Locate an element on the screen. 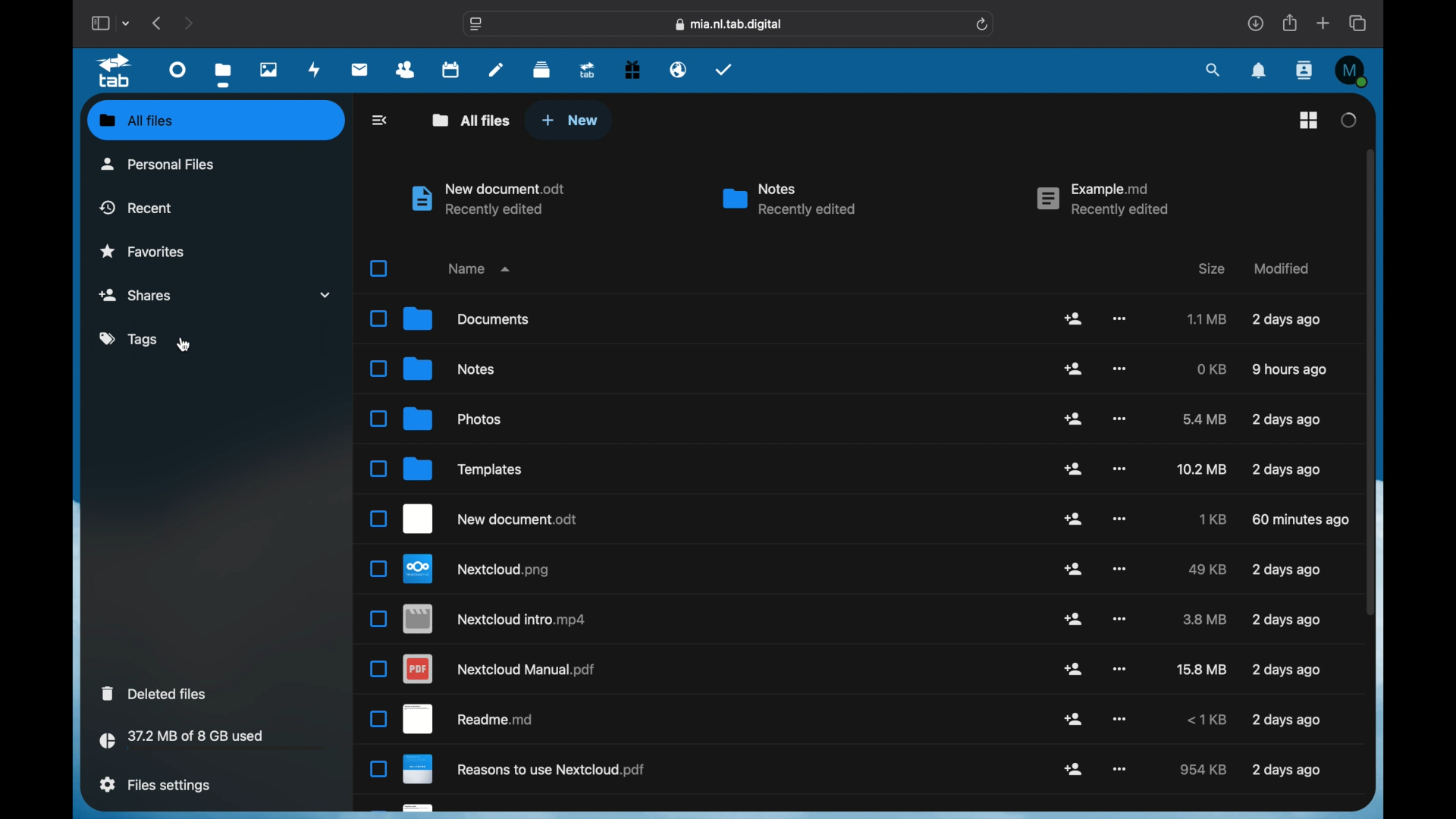  modified is located at coordinates (1286, 320).